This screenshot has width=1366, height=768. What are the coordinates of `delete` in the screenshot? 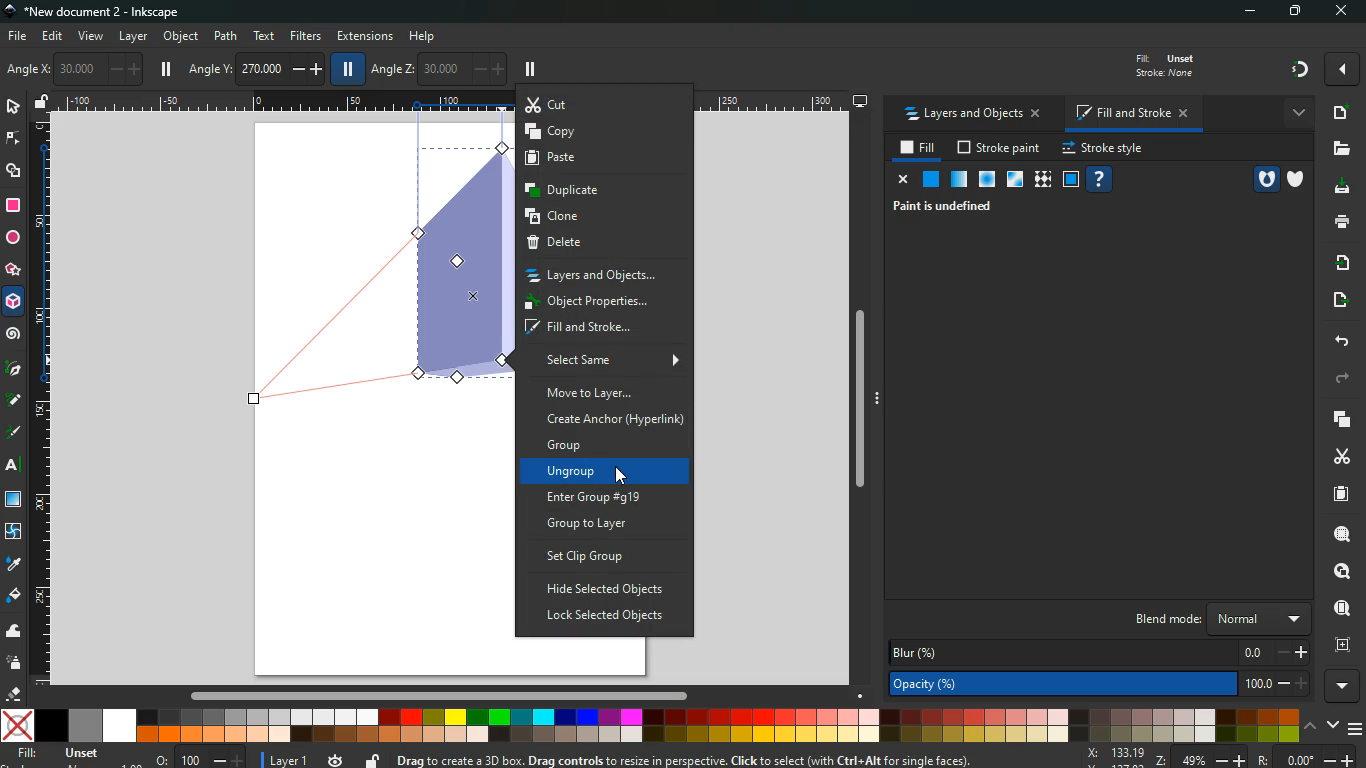 It's located at (602, 245).